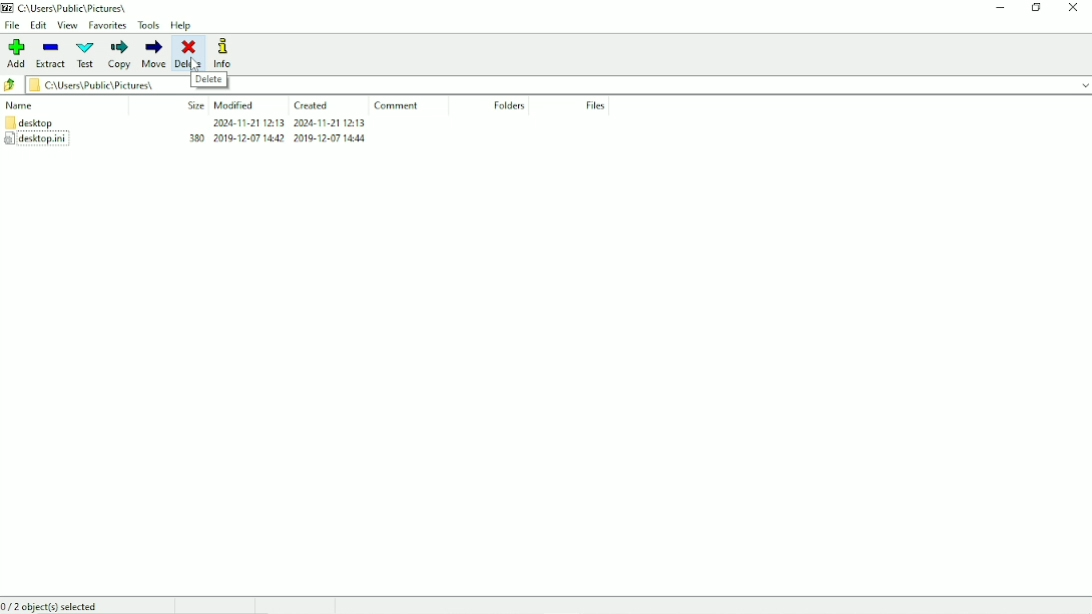 This screenshot has height=614, width=1092. I want to click on Edit, so click(39, 25).